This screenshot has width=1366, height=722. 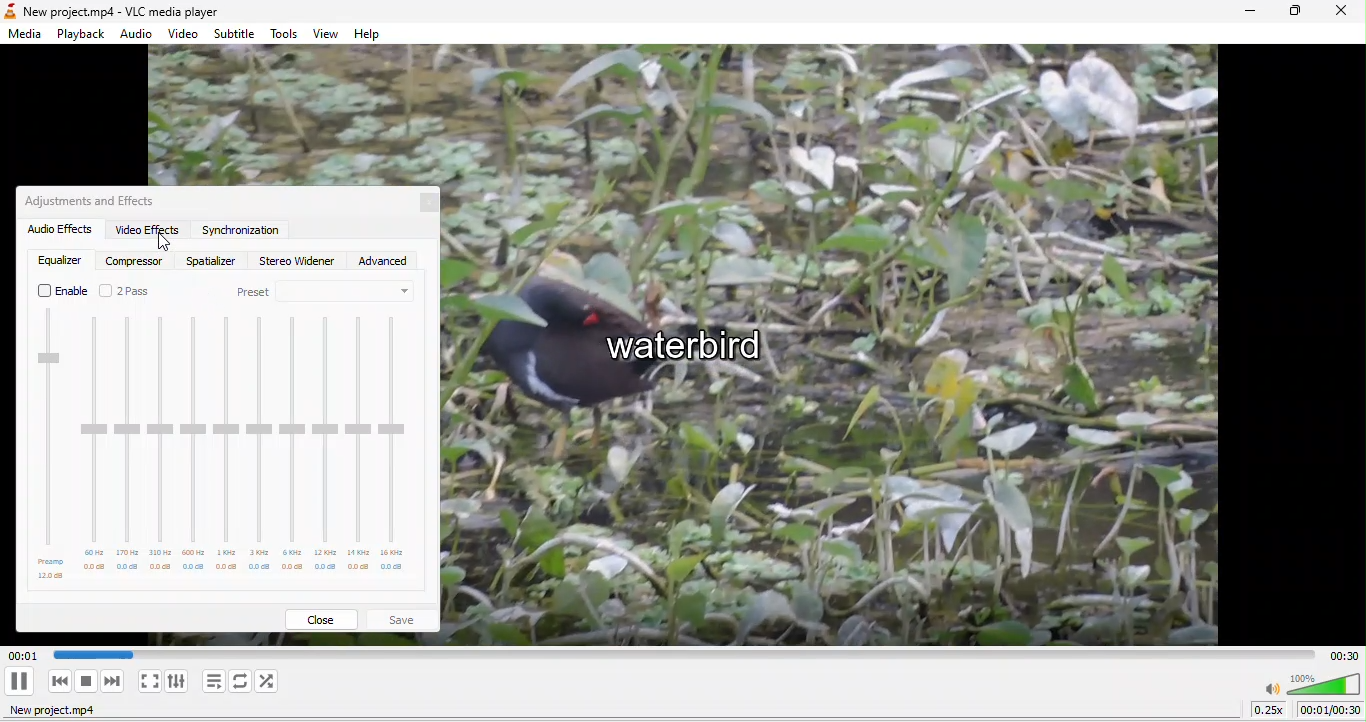 What do you see at coordinates (237, 32) in the screenshot?
I see `subtitle` at bounding box center [237, 32].